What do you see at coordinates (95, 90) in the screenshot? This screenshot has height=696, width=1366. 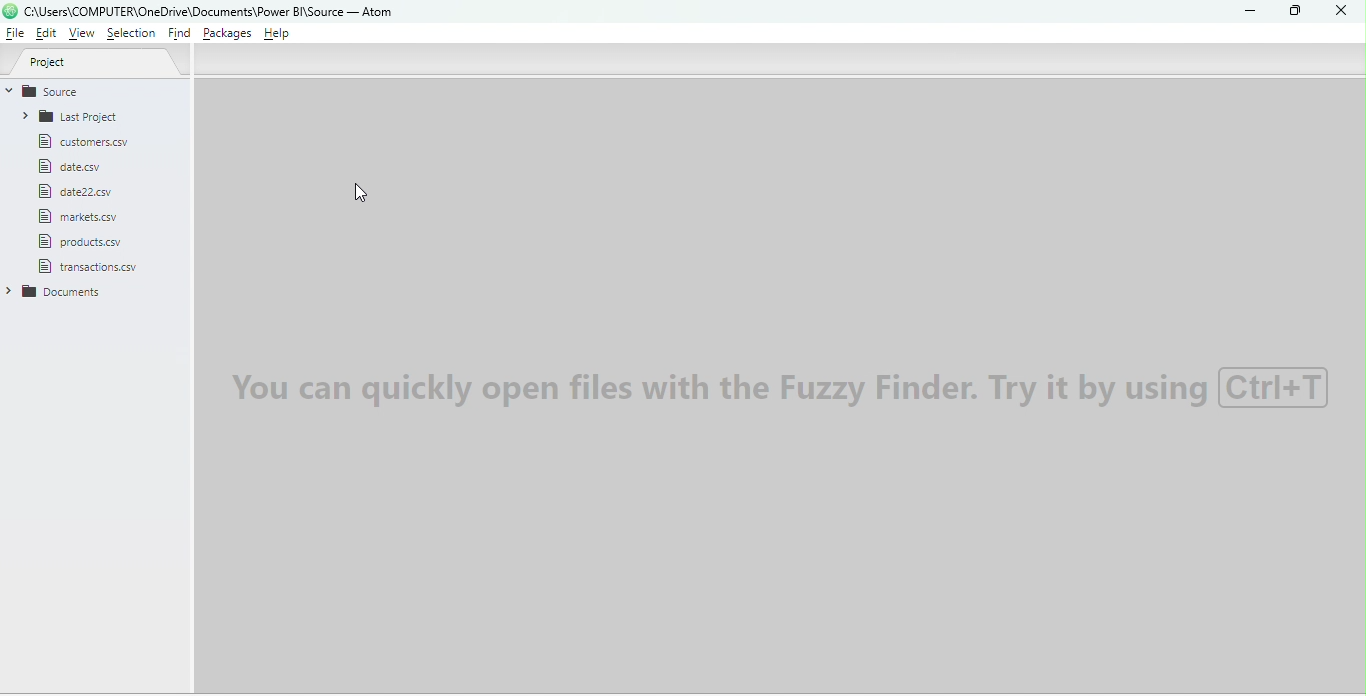 I see `Source` at bounding box center [95, 90].